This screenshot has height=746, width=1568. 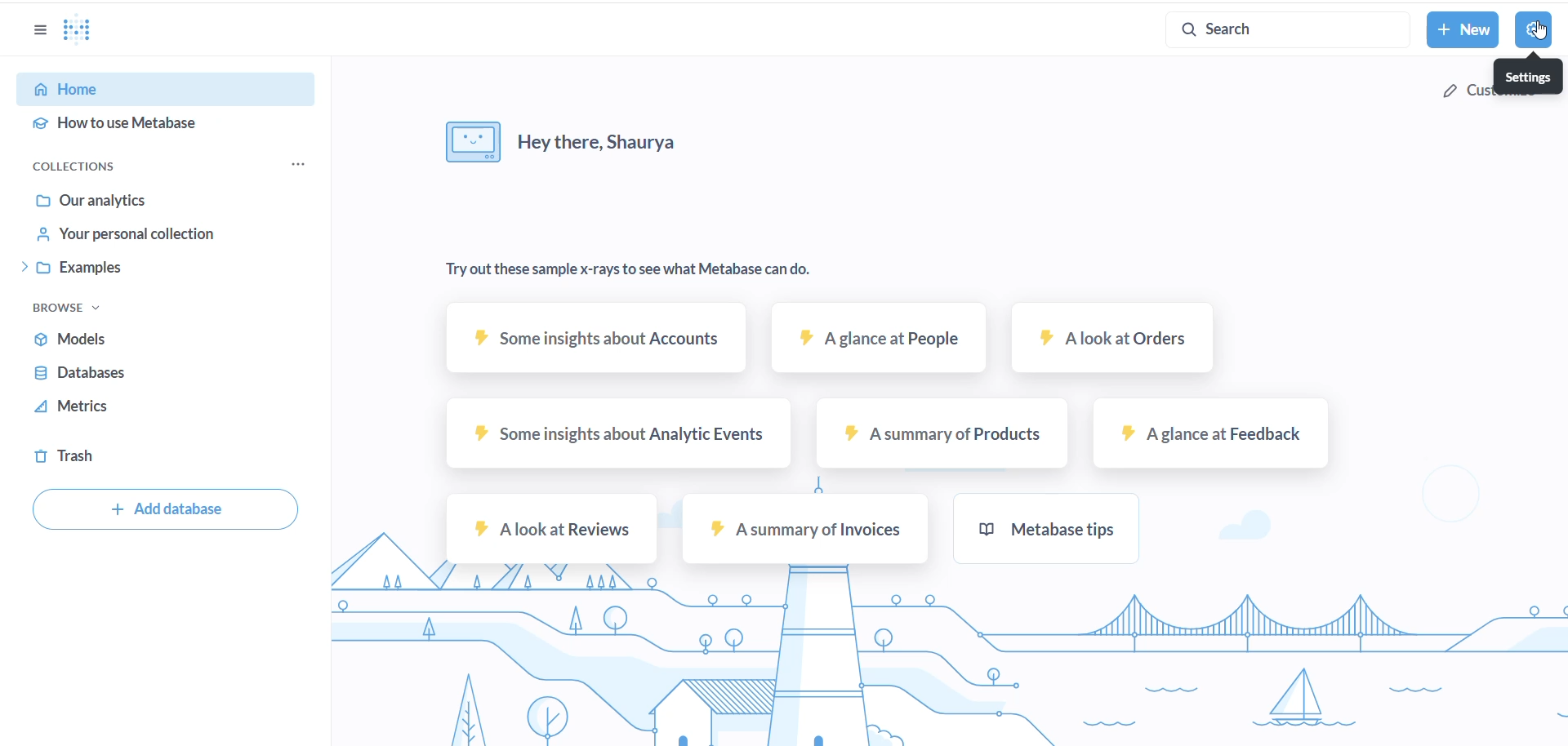 What do you see at coordinates (164, 202) in the screenshot?
I see `our analytics options` at bounding box center [164, 202].